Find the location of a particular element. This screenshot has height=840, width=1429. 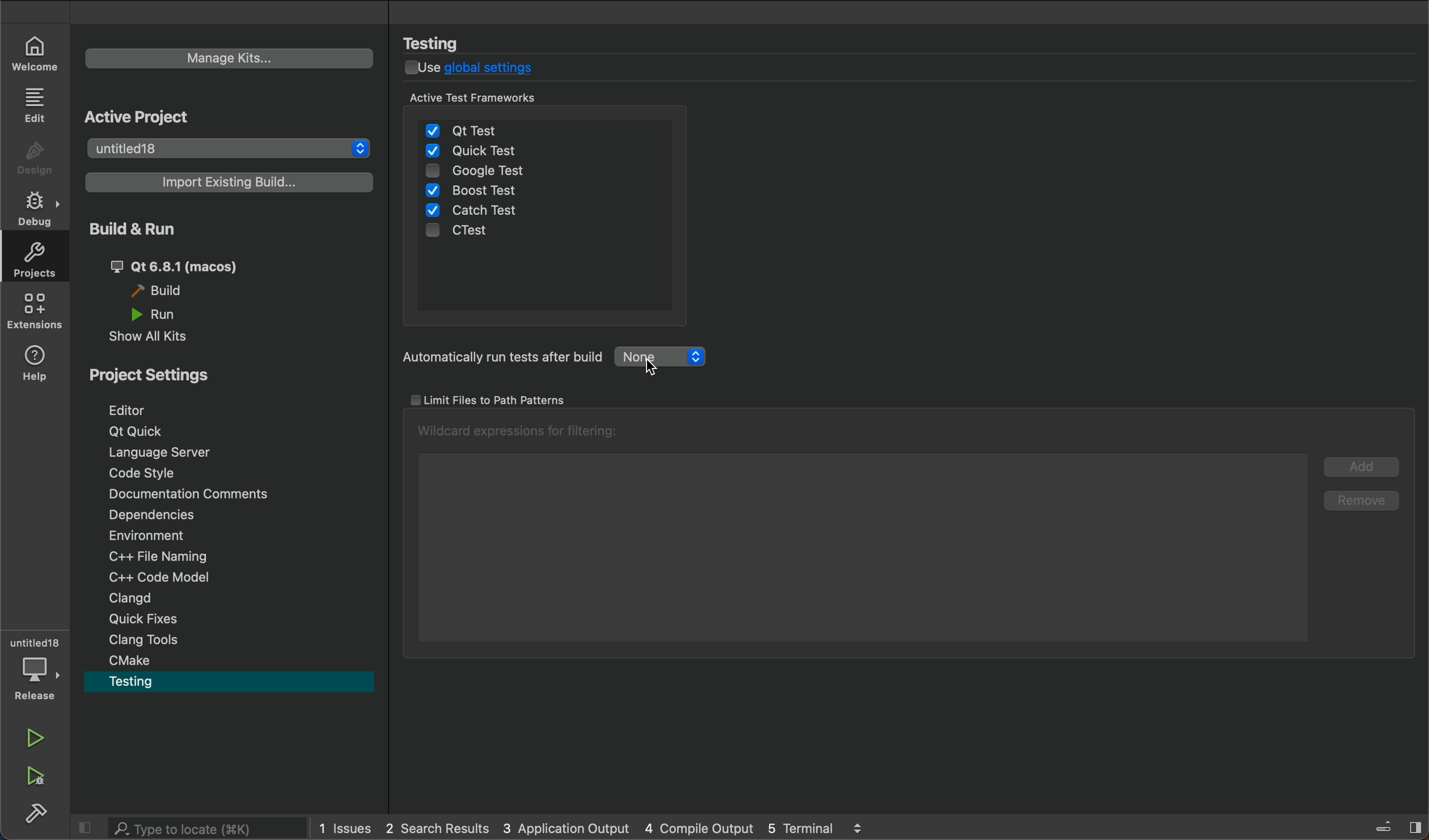

BUILD is located at coordinates (44, 816).